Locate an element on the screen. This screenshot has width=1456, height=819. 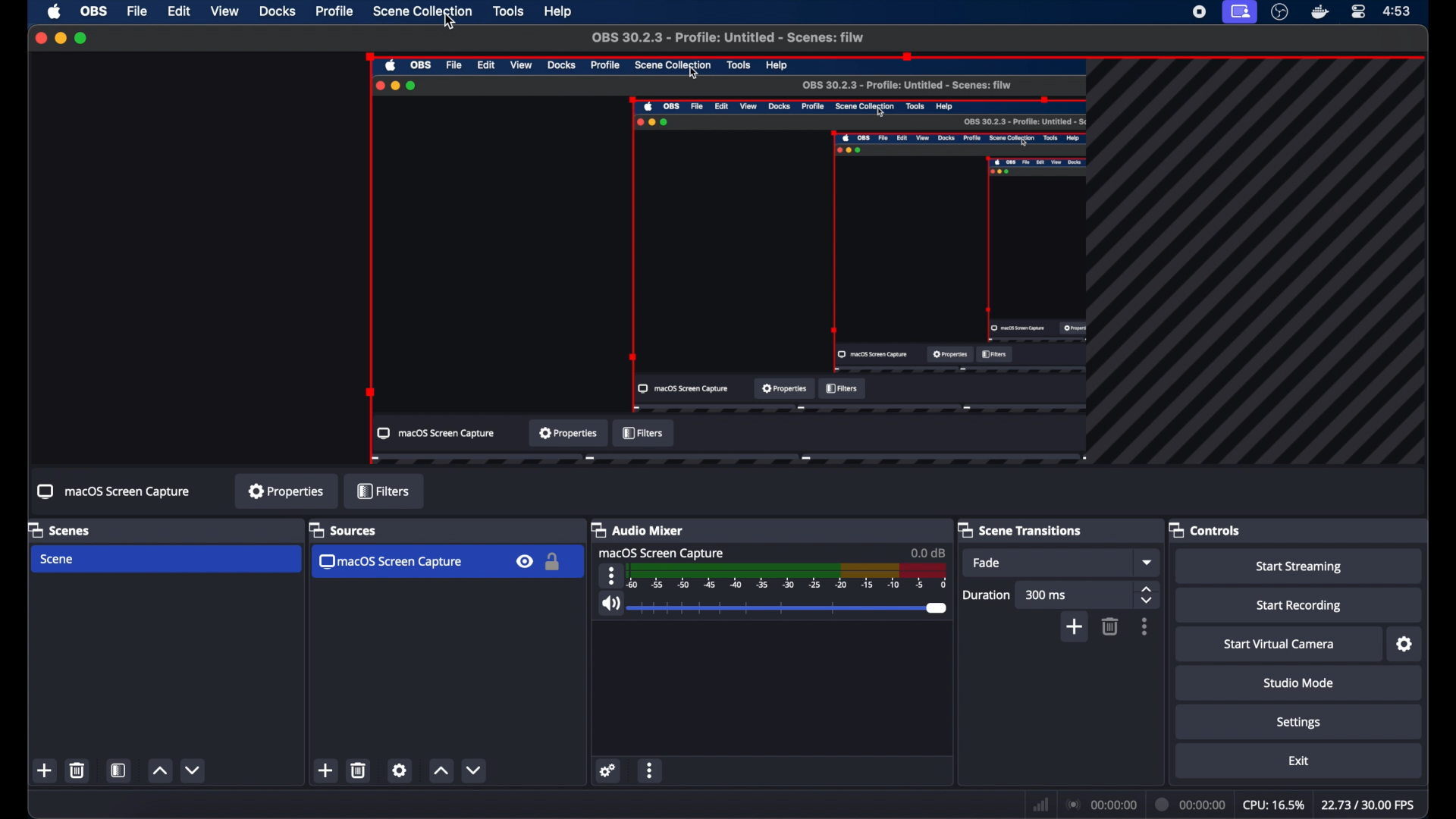
stepper button is located at coordinates (1147, 594).